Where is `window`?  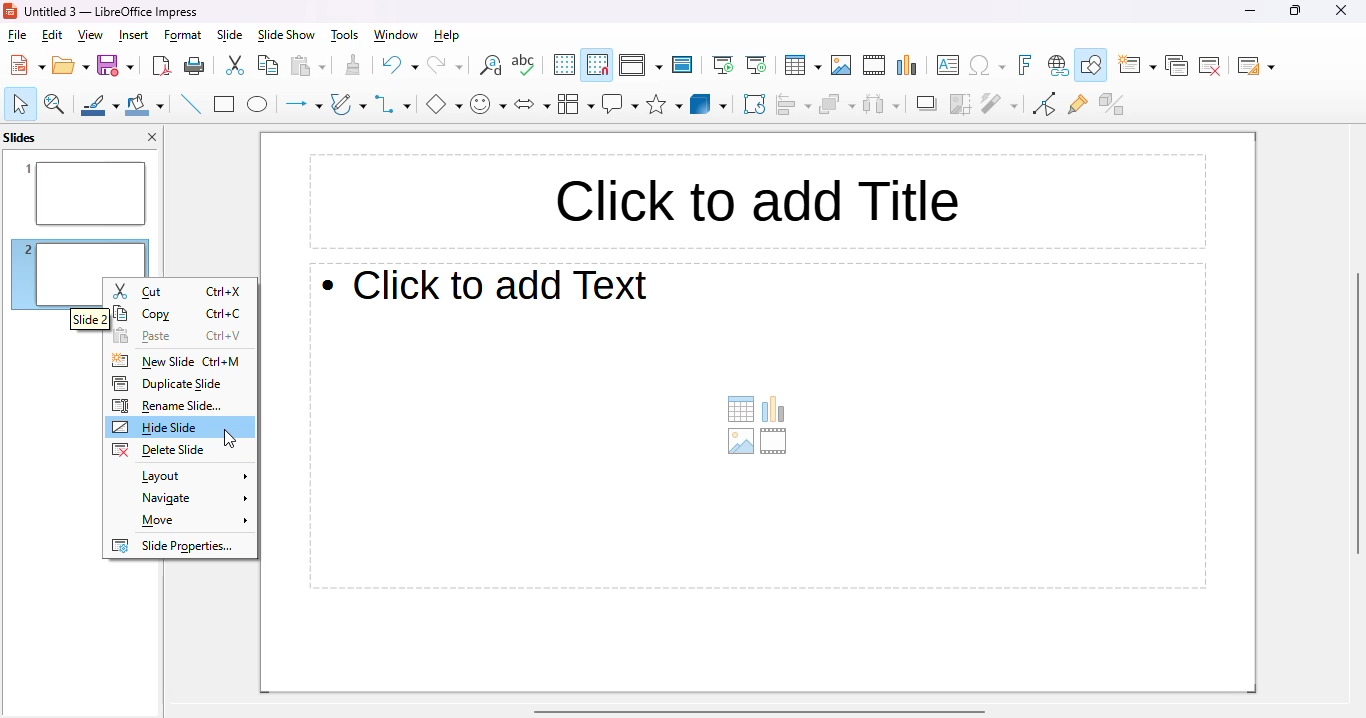 window is located at coordinates (396, 35).